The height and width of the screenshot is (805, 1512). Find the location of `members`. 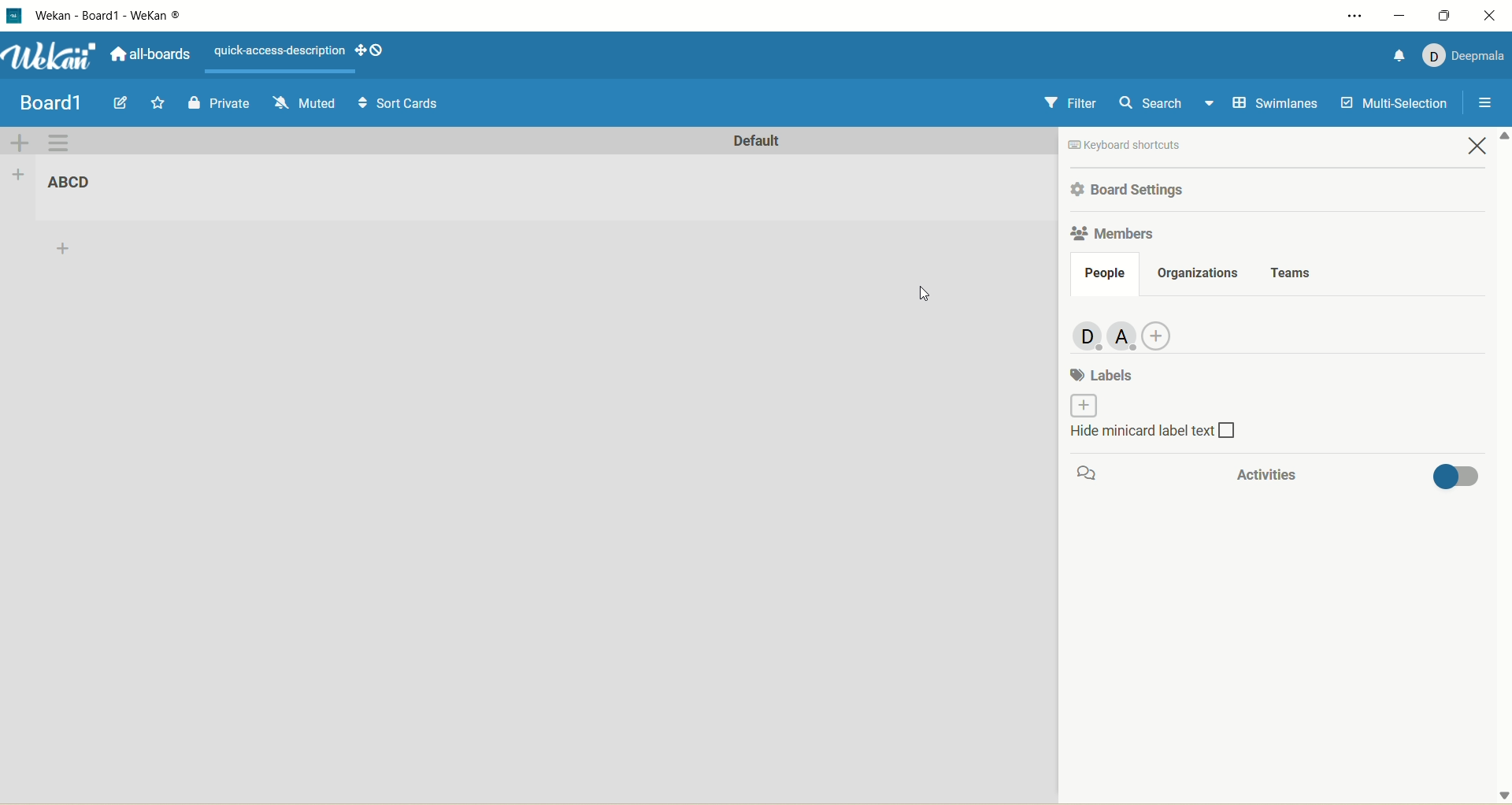

members is located at coordinates (1081, 336).